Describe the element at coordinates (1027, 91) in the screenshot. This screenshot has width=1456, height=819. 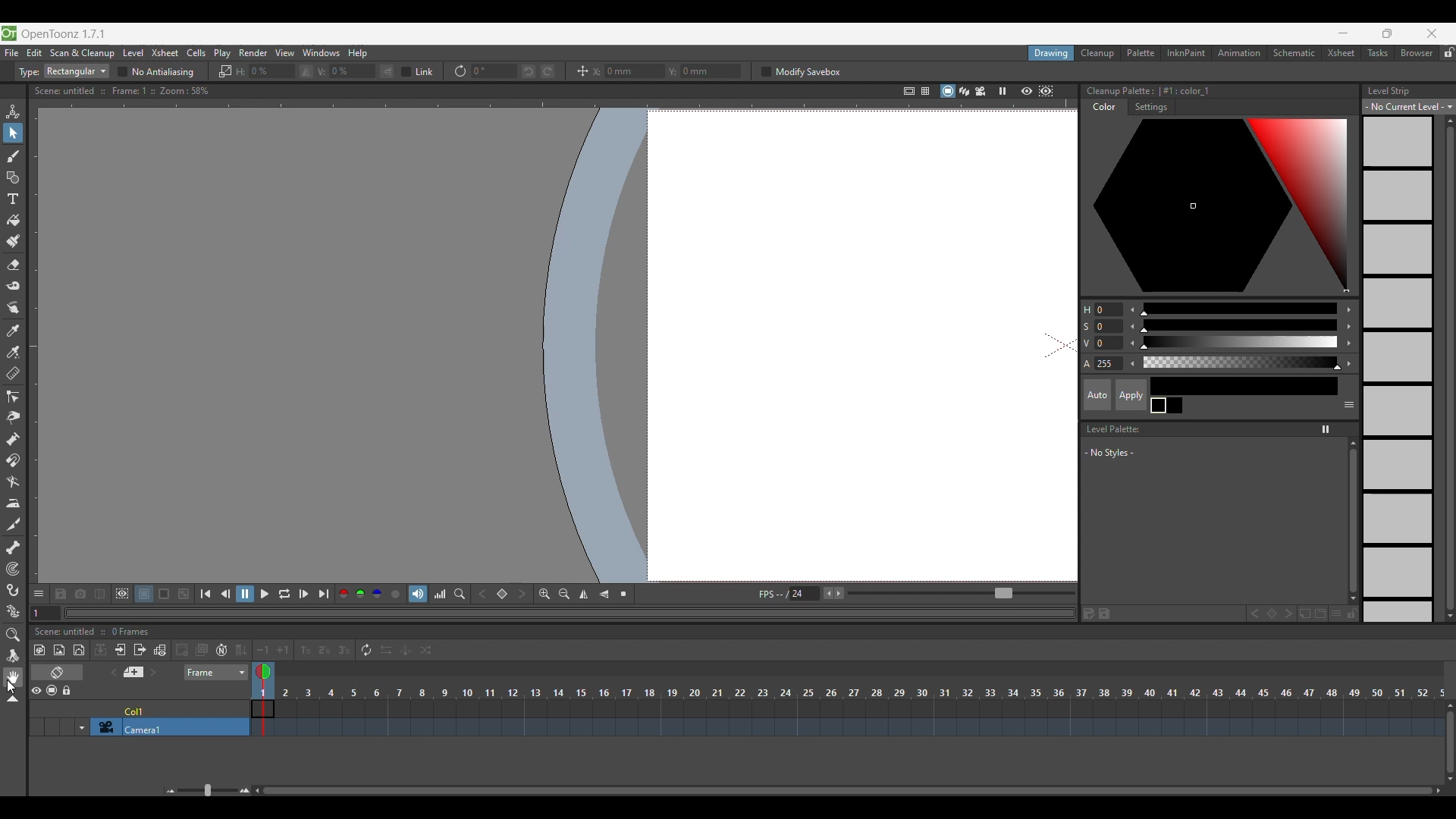
I see `Preview` at that location.